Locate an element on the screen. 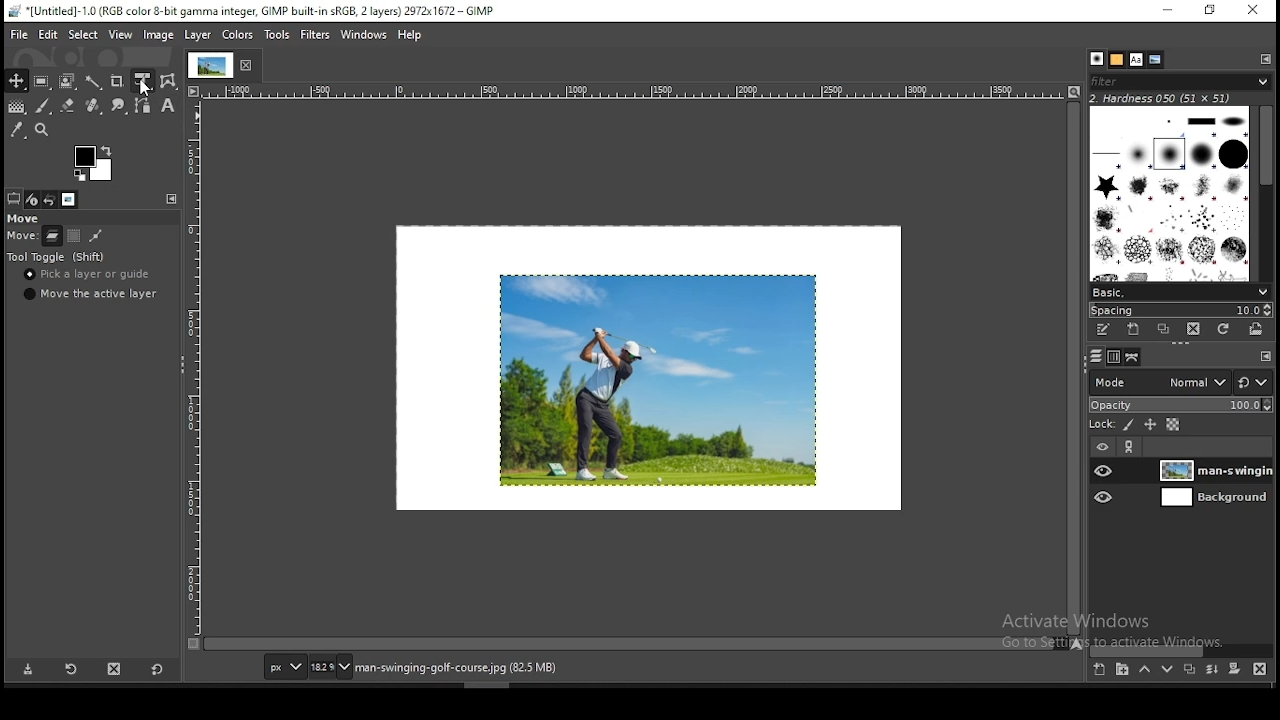 The width and height of the screenshot is (1280, 720). move layer on step down is located at coordinates (1165, 670).